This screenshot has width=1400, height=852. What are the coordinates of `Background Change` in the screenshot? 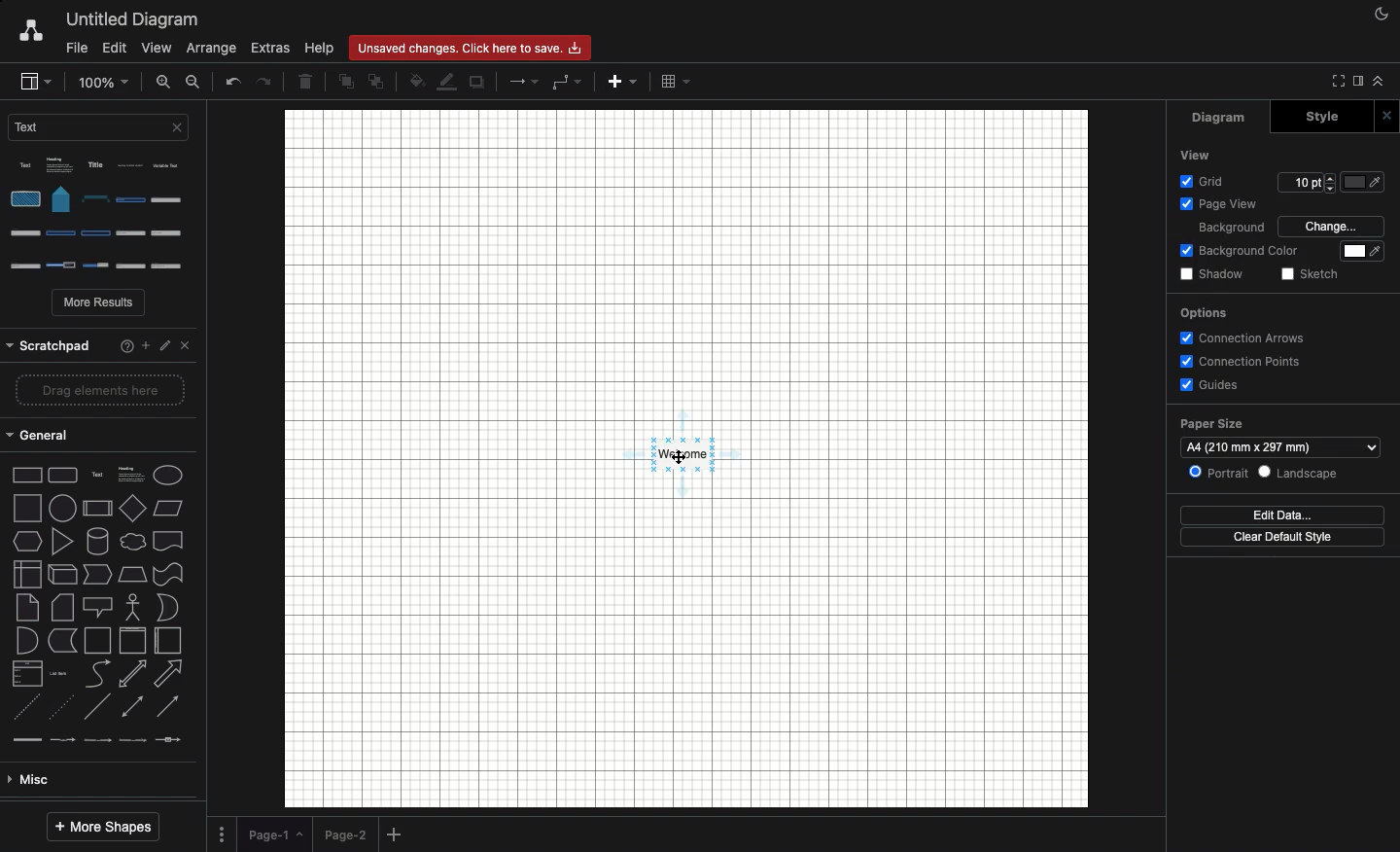 It's located at (1278, 225).